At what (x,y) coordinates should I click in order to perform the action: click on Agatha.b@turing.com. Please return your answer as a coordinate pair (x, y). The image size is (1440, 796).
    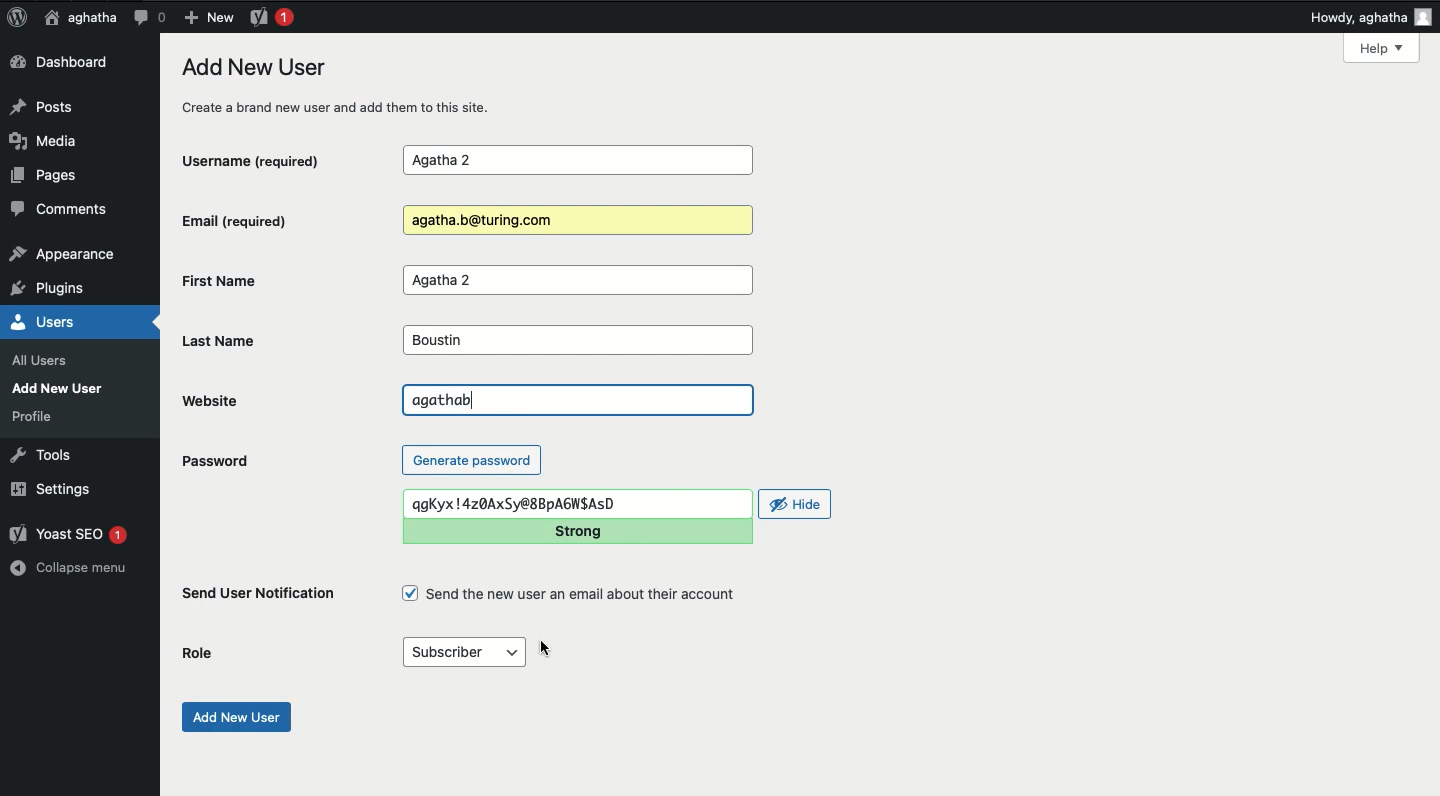
    Looking at the image, I should click on (574, 221).